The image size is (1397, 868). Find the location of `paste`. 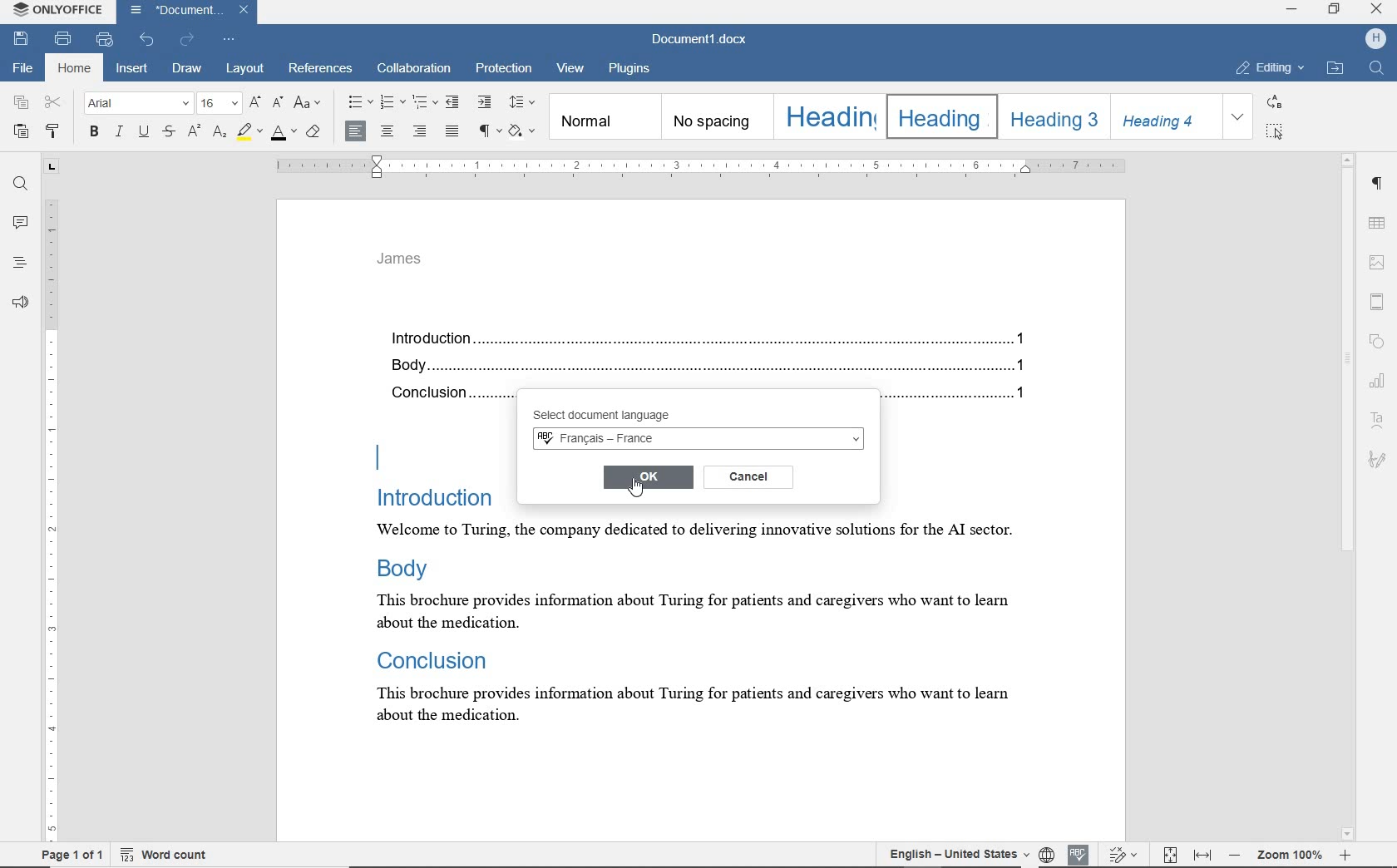

paste is located at coordinates (19, 131).